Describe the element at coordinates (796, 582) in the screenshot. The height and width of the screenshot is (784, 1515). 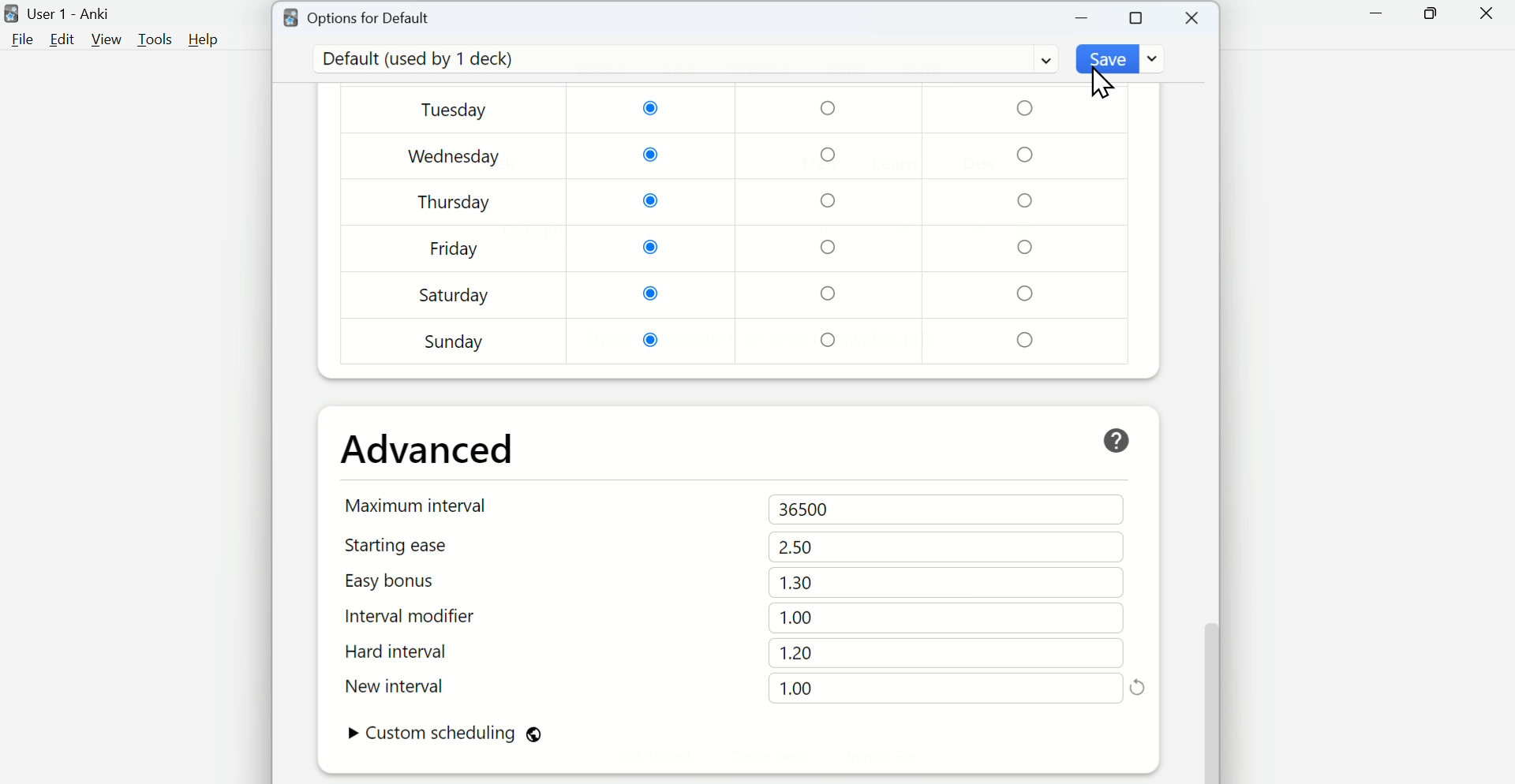
I see `1.30` at that location.